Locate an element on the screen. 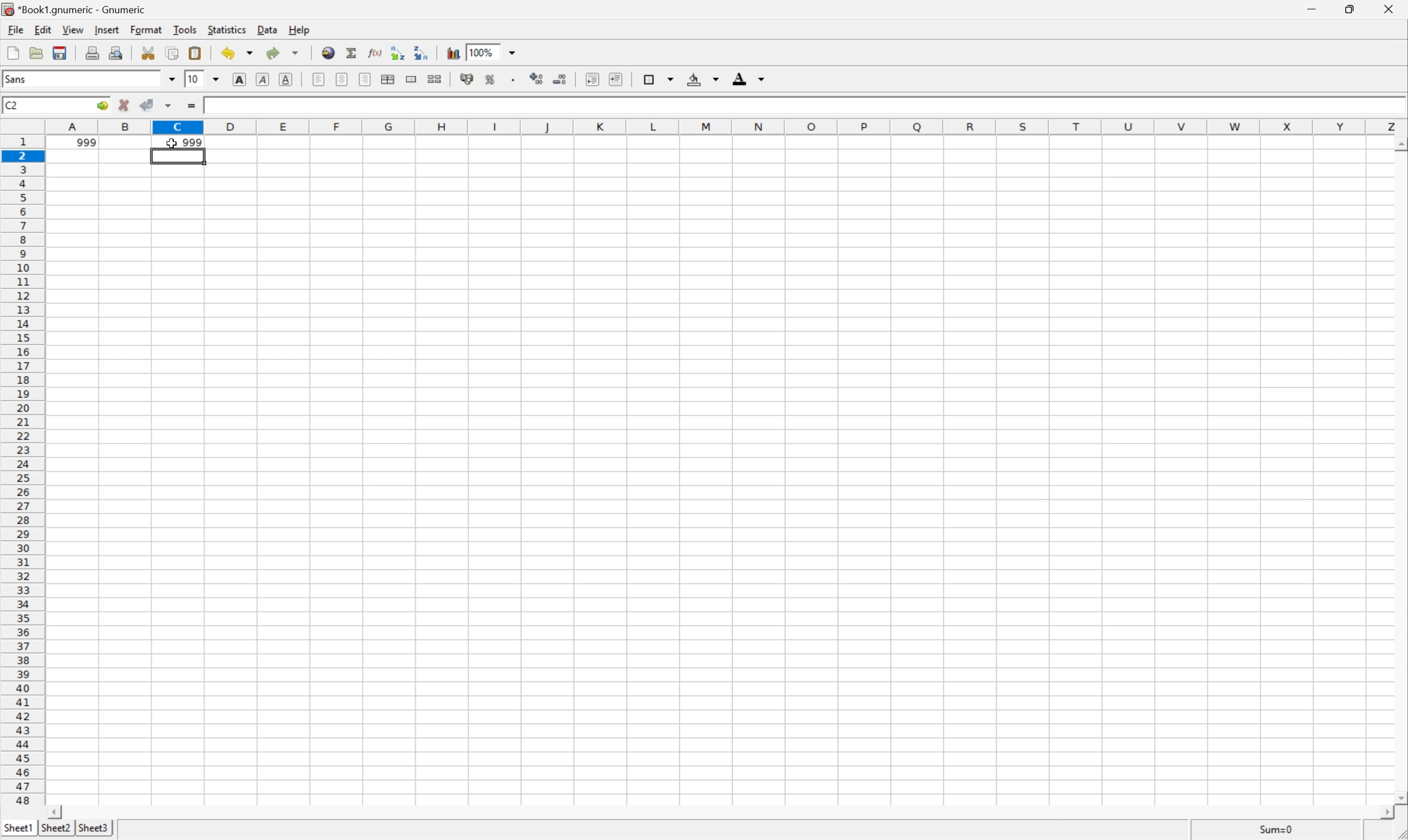  paste is located at coordinates (195, 53).